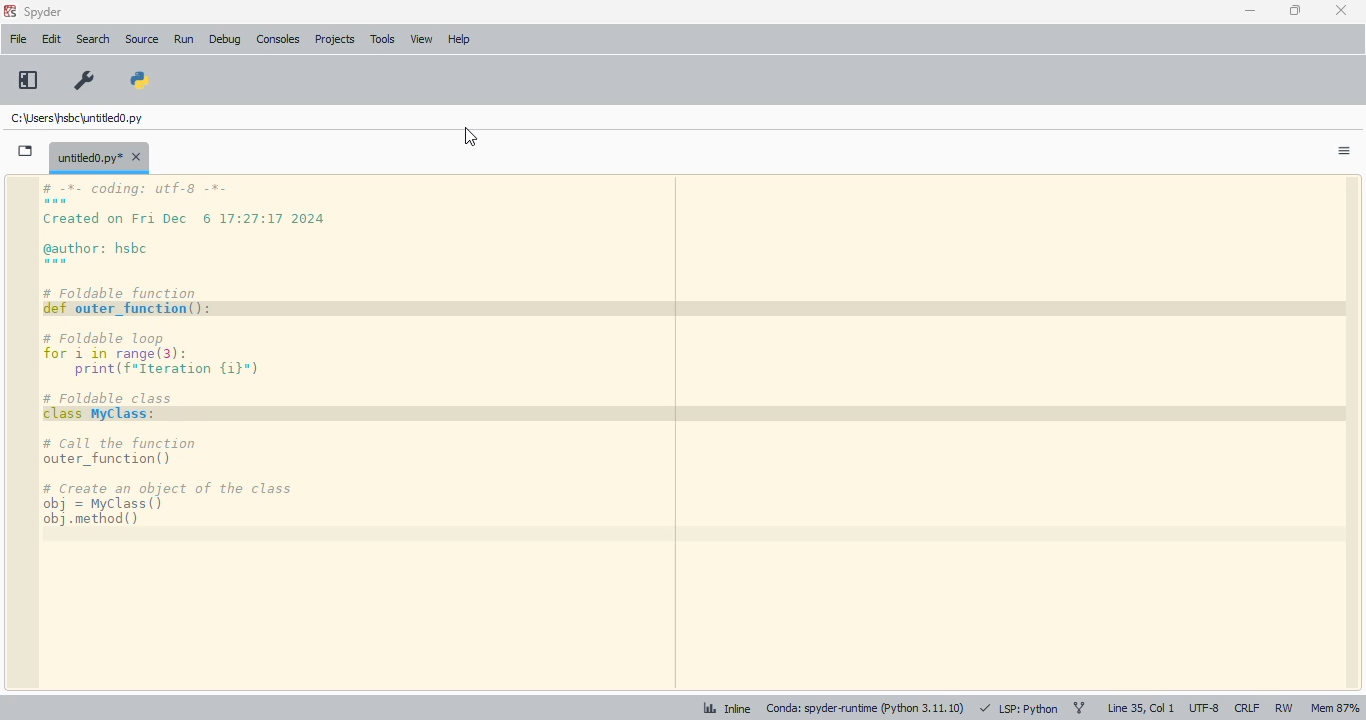 The height and width of the screenshot is (720, 1366). What do you see at coordinates (699, 434) in the screenshot?
I see `editor` at bounding box center [699, 434].